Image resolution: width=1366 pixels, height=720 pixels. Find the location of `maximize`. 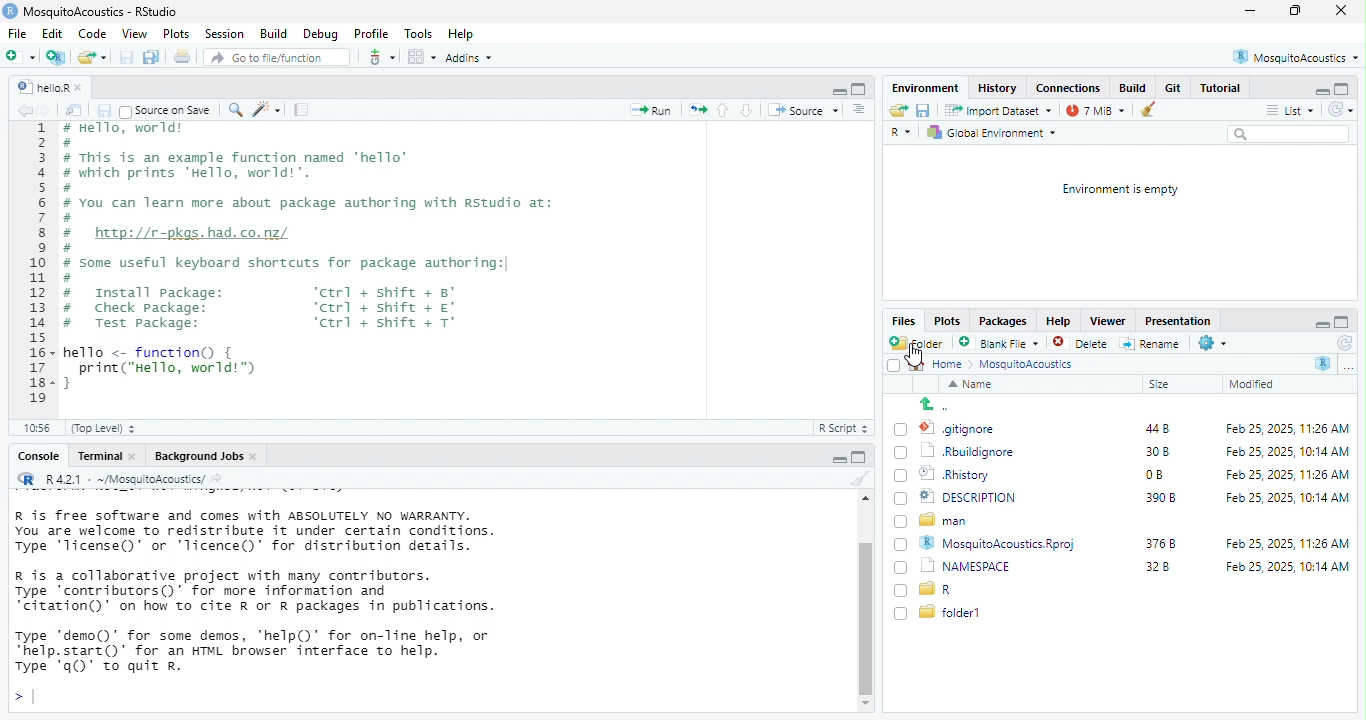

maximize is located at coordinates (1296, 11).